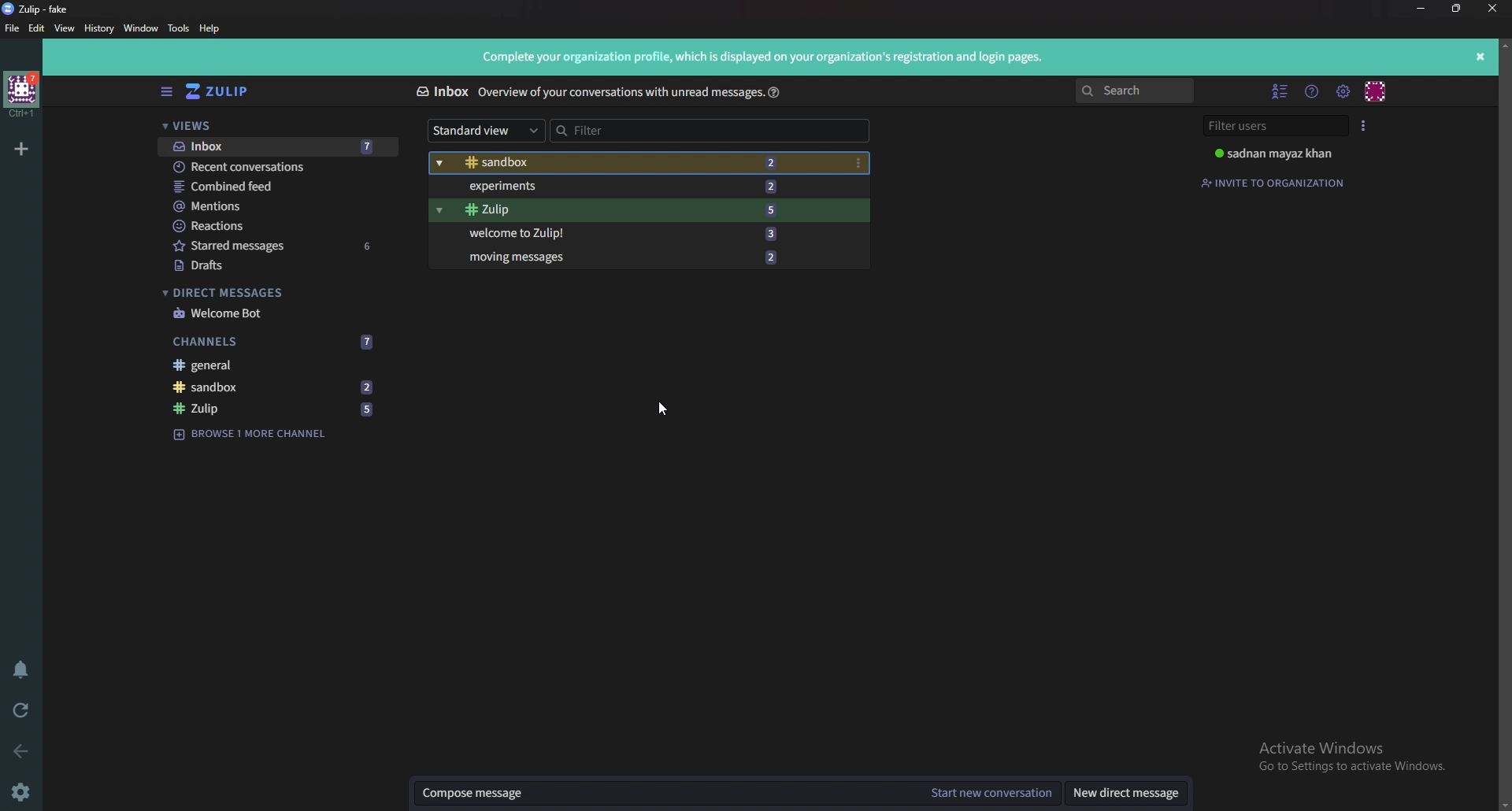 This screenshot has width=1512, height=811. I want to click on Help, so click(210, 28).